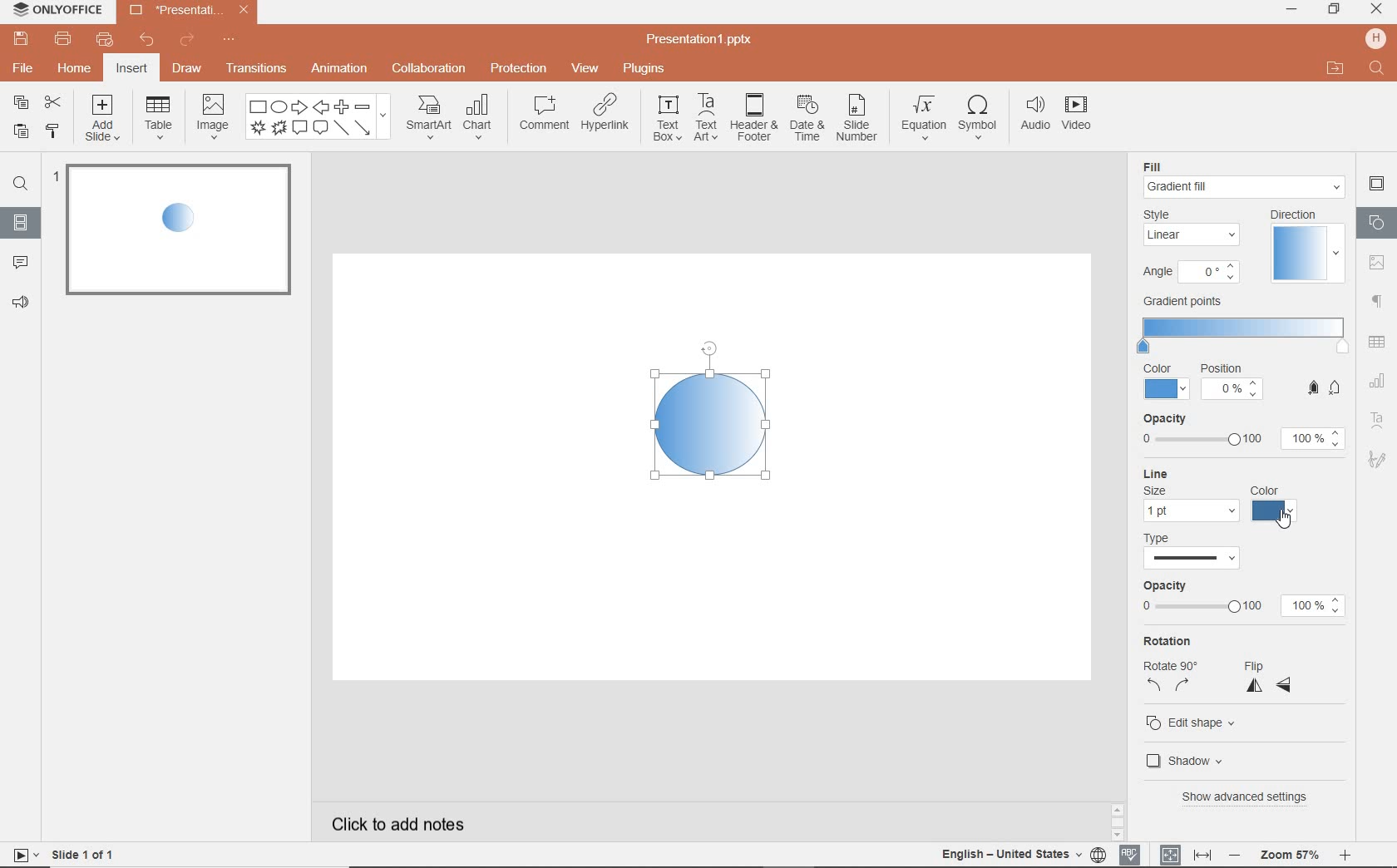  I want to click on angle, so click(1189, 274).